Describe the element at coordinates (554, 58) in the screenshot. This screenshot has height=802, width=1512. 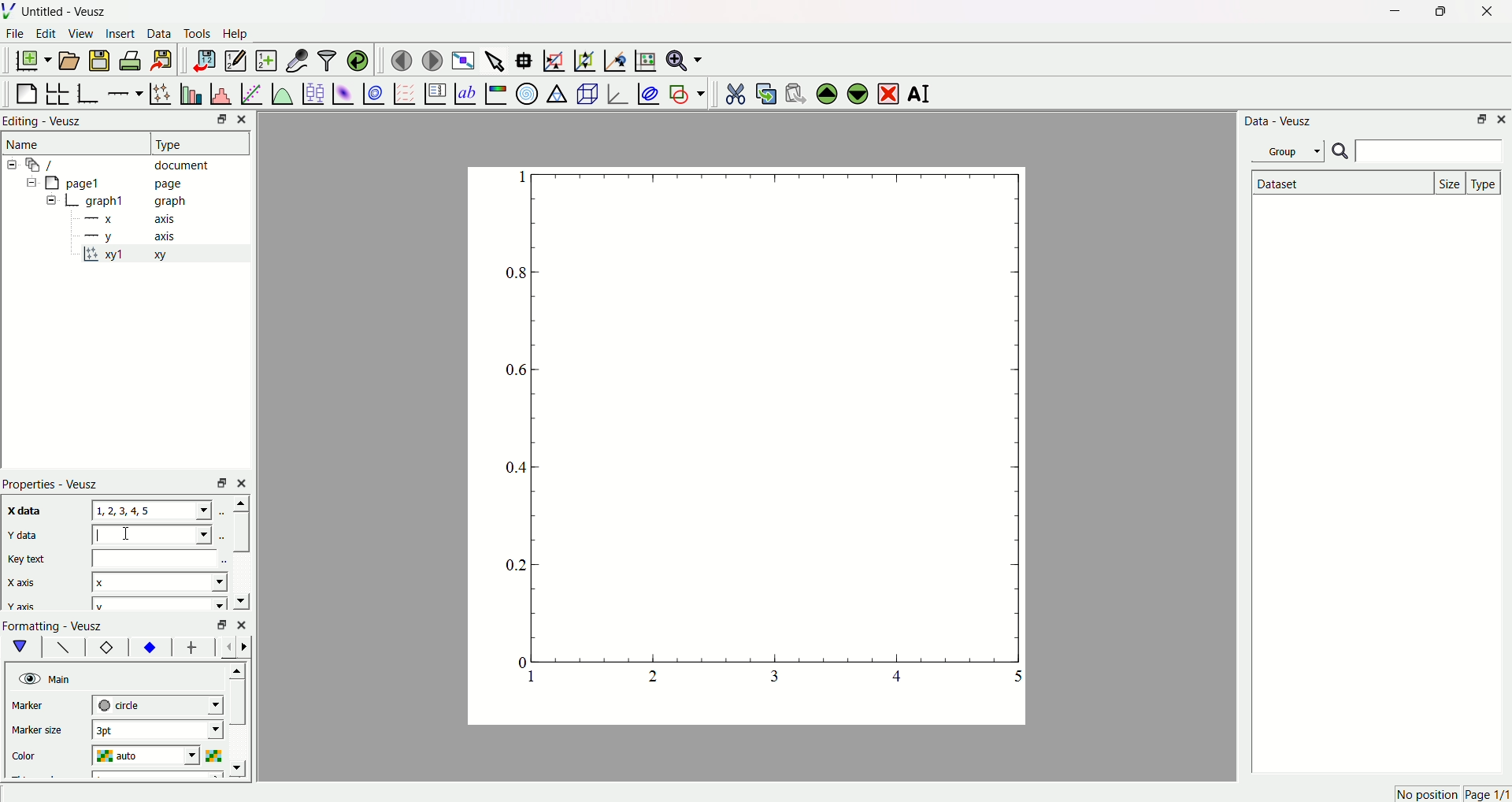
I see `draw rectangle on zoom graph axes` at that location.